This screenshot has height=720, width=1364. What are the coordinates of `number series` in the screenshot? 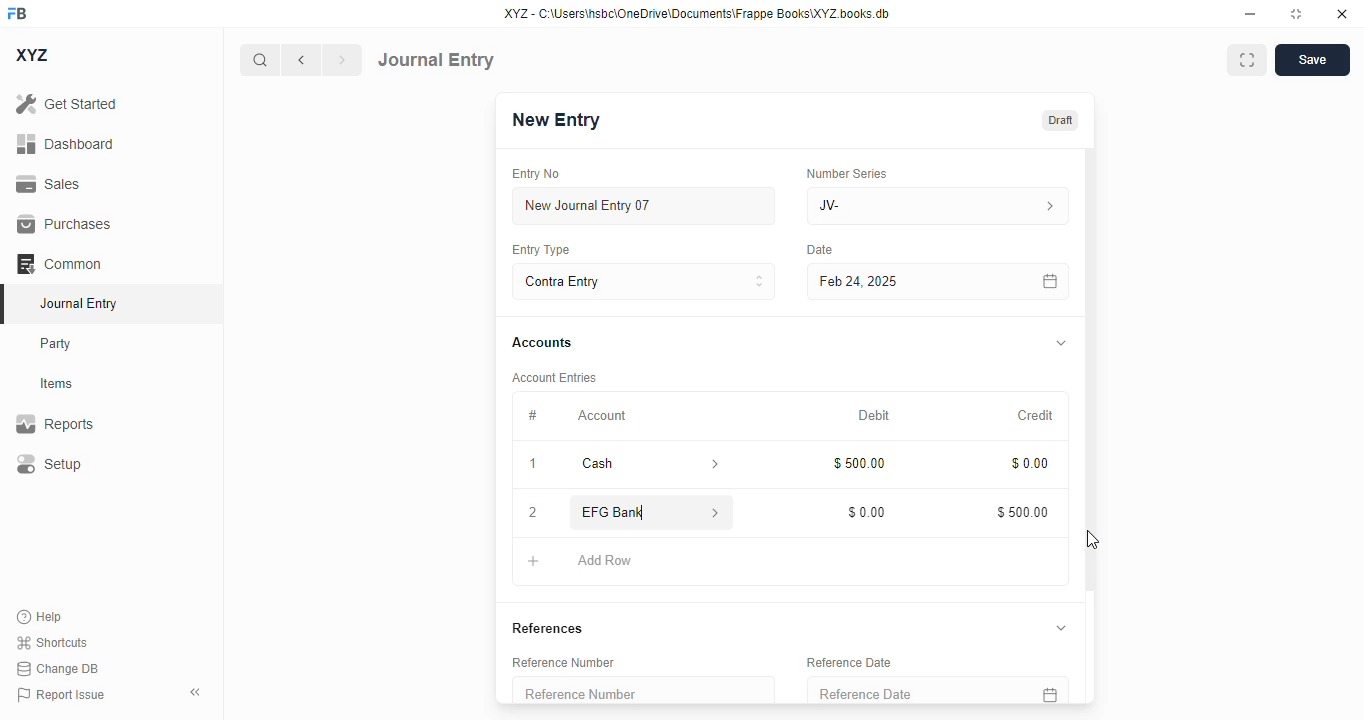 It's located at (849, 173).